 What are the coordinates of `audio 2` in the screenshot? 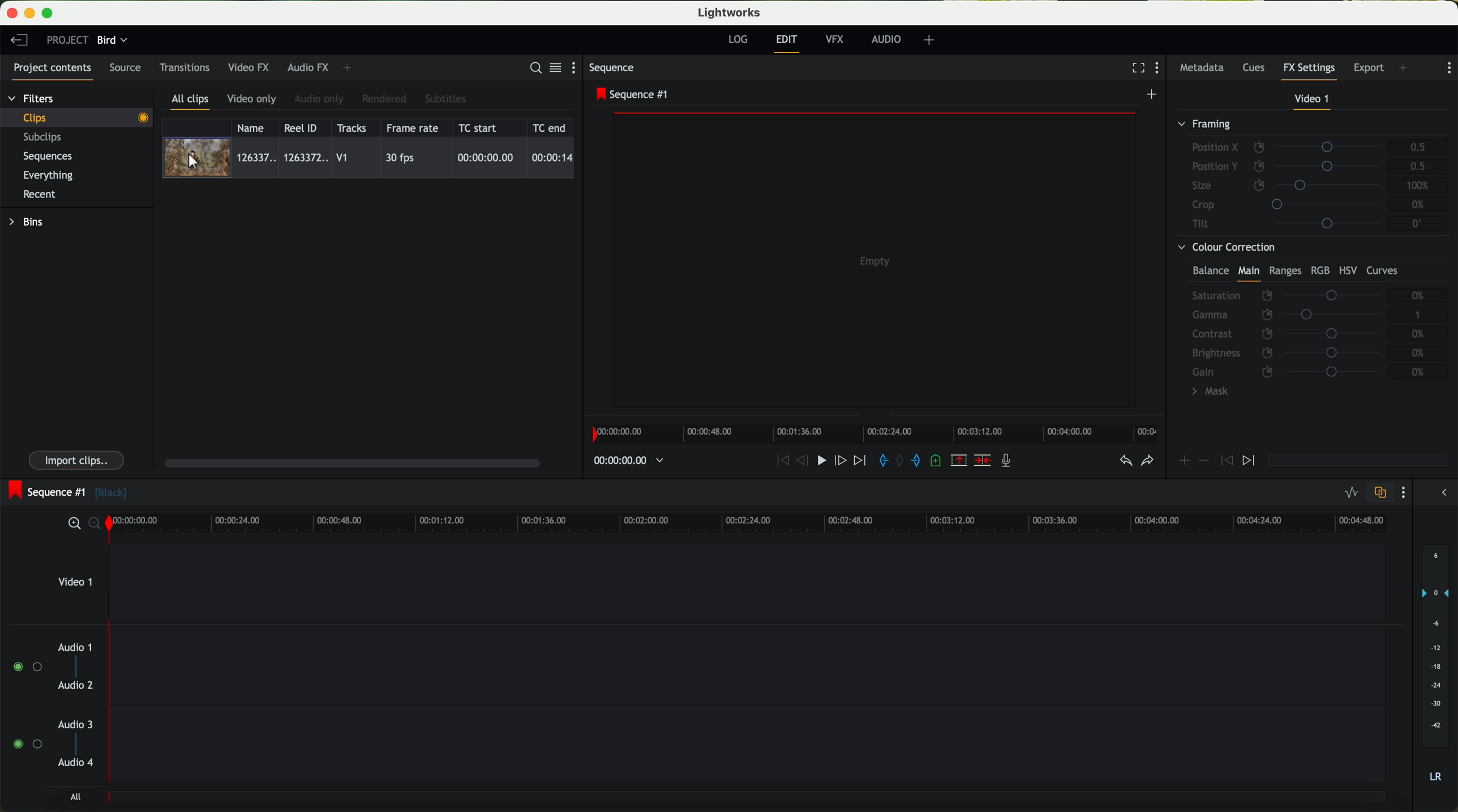 It's located at (76, 686).